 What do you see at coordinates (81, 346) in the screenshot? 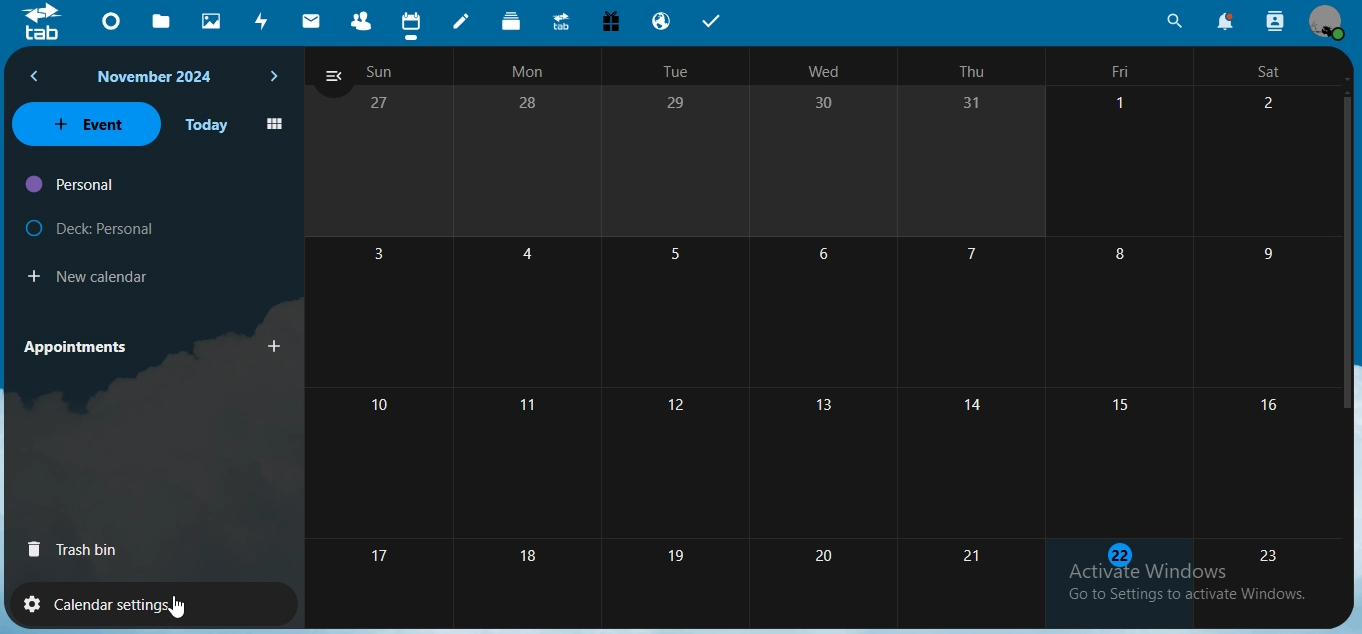
I see `appointments` at bounding box center [81, 346].